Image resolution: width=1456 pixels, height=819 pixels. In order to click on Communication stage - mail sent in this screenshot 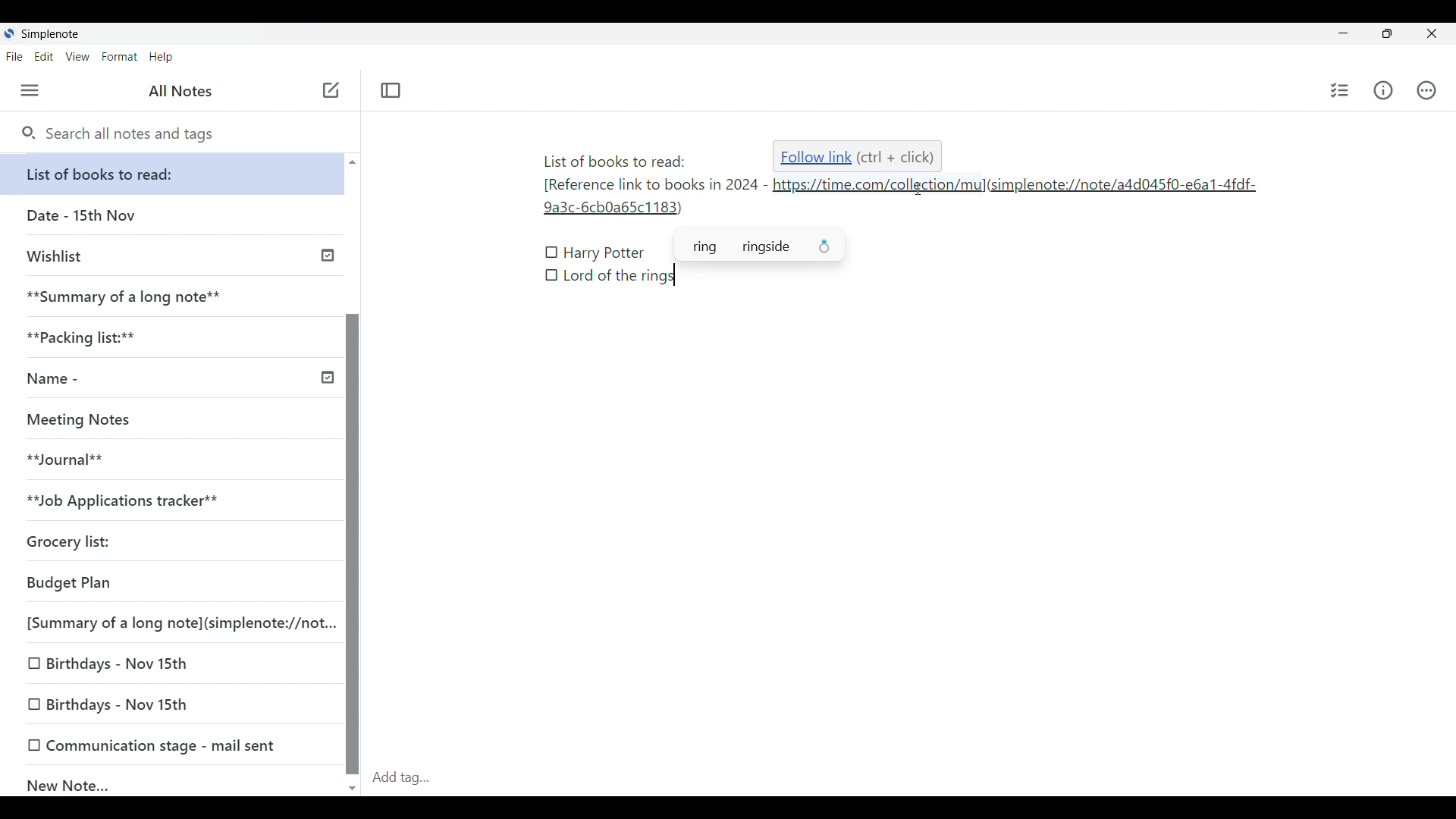, I will do `click(173, 745)`.